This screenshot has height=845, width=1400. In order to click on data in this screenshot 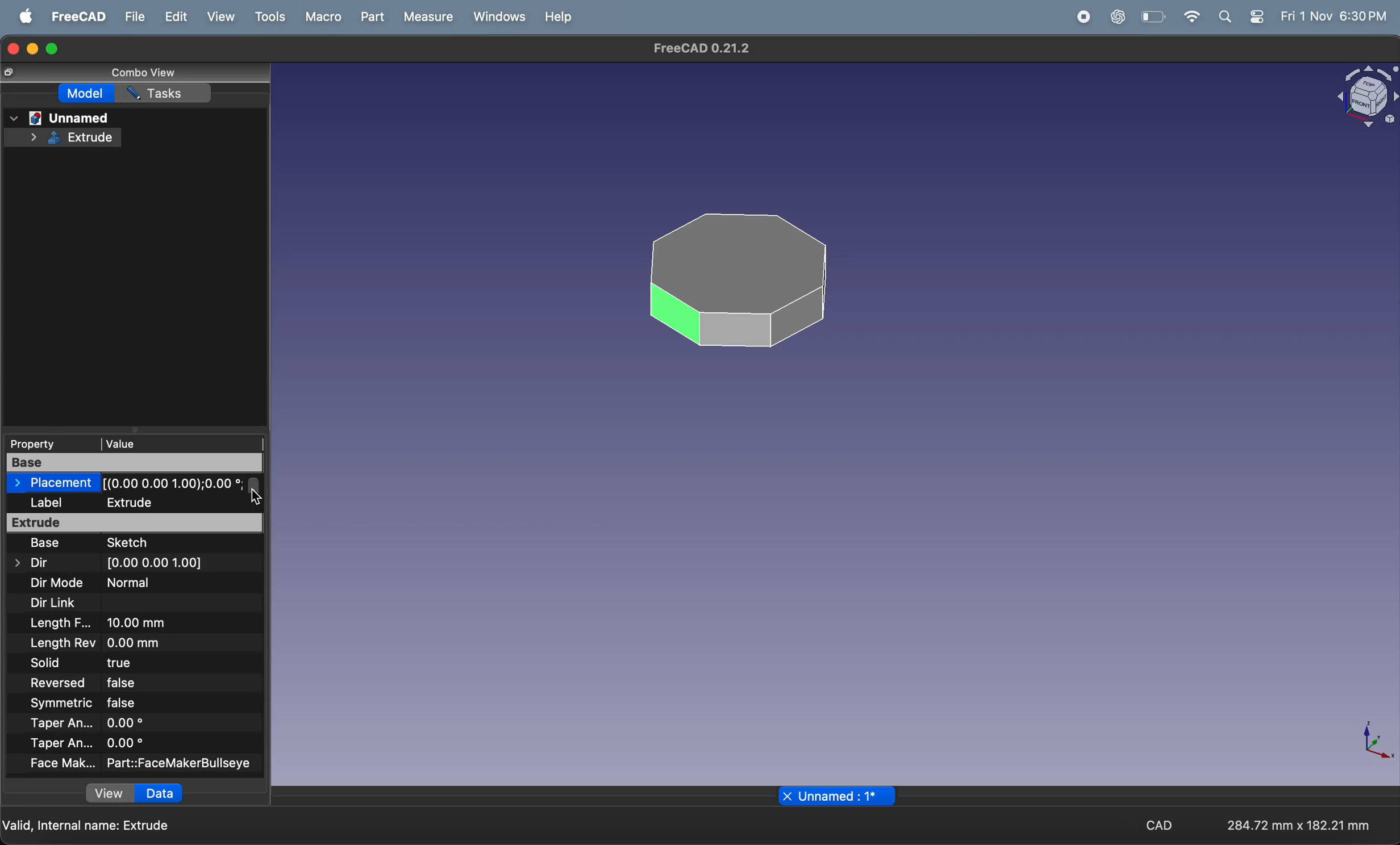, I will do `click(158, 793)`.